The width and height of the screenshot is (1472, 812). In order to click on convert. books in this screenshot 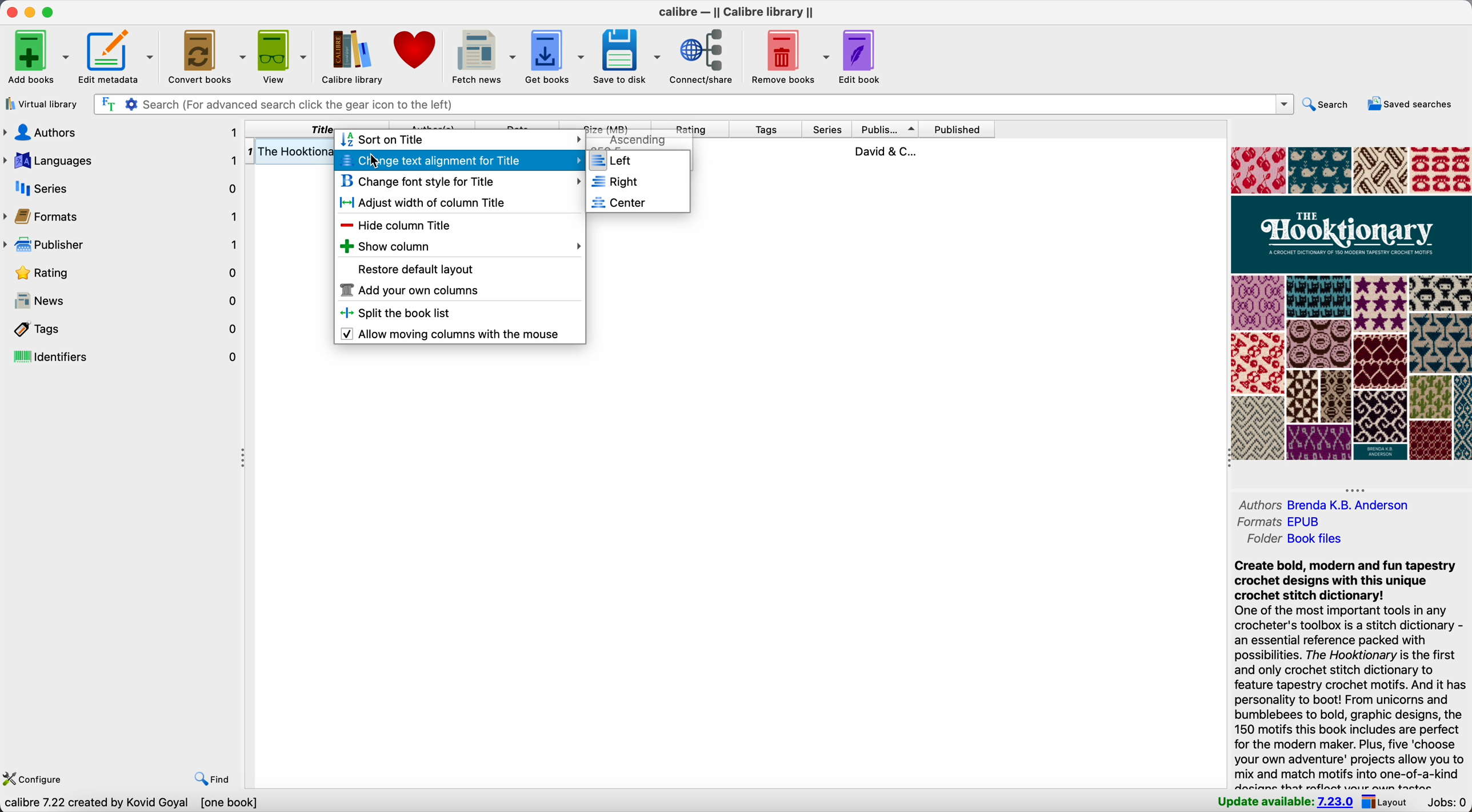, I will do `click(207, 57)`.